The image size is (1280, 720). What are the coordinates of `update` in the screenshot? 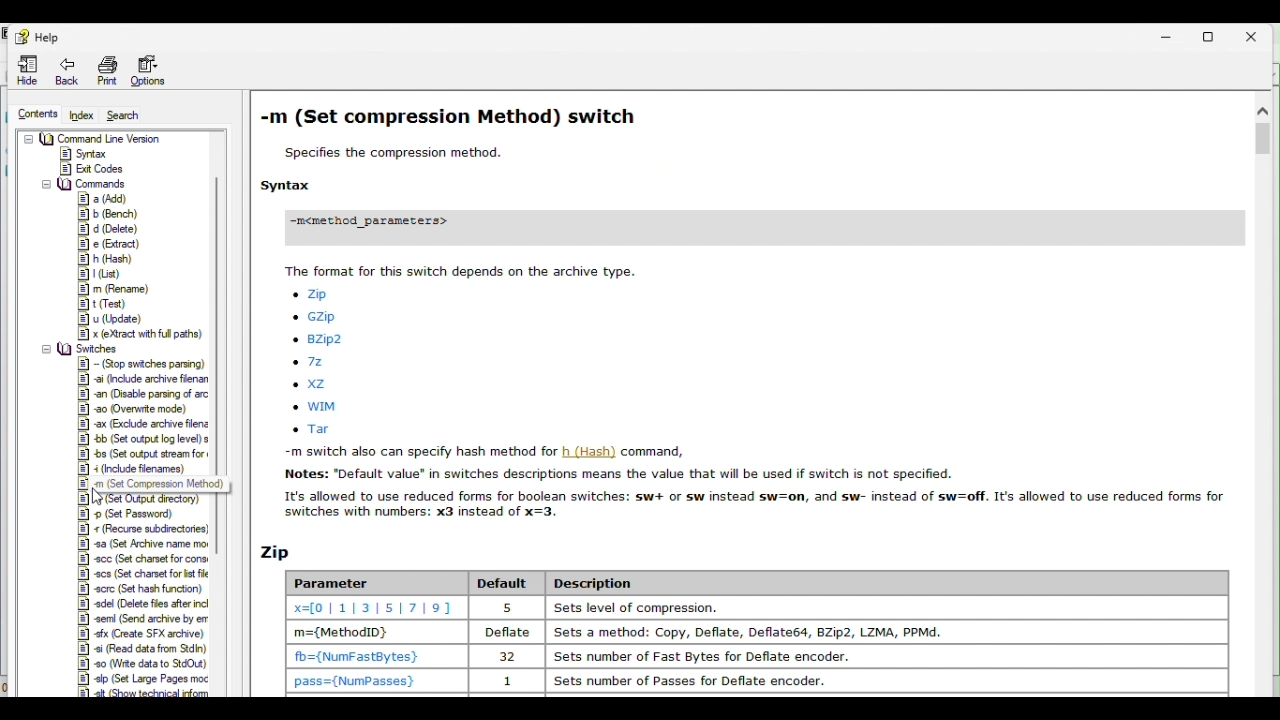 It's located at (107, 318).